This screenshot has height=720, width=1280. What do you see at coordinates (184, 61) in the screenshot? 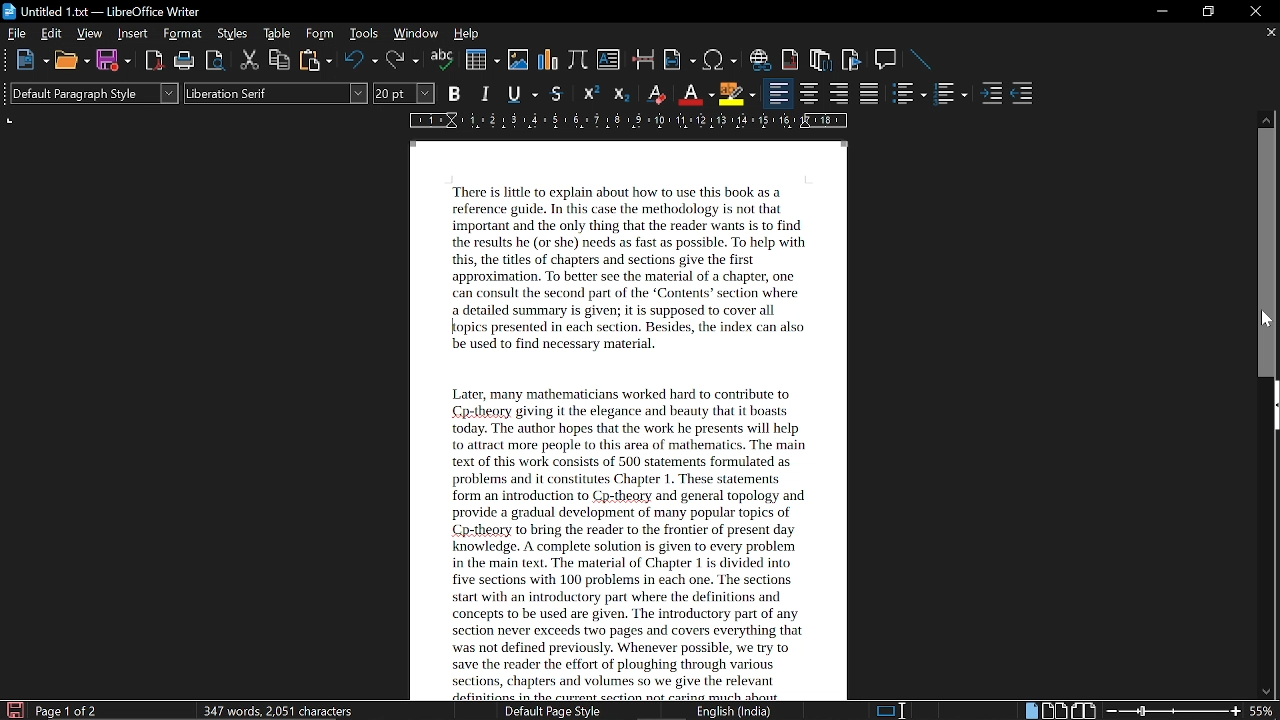
I see `print` at bounding box center [184, 61].